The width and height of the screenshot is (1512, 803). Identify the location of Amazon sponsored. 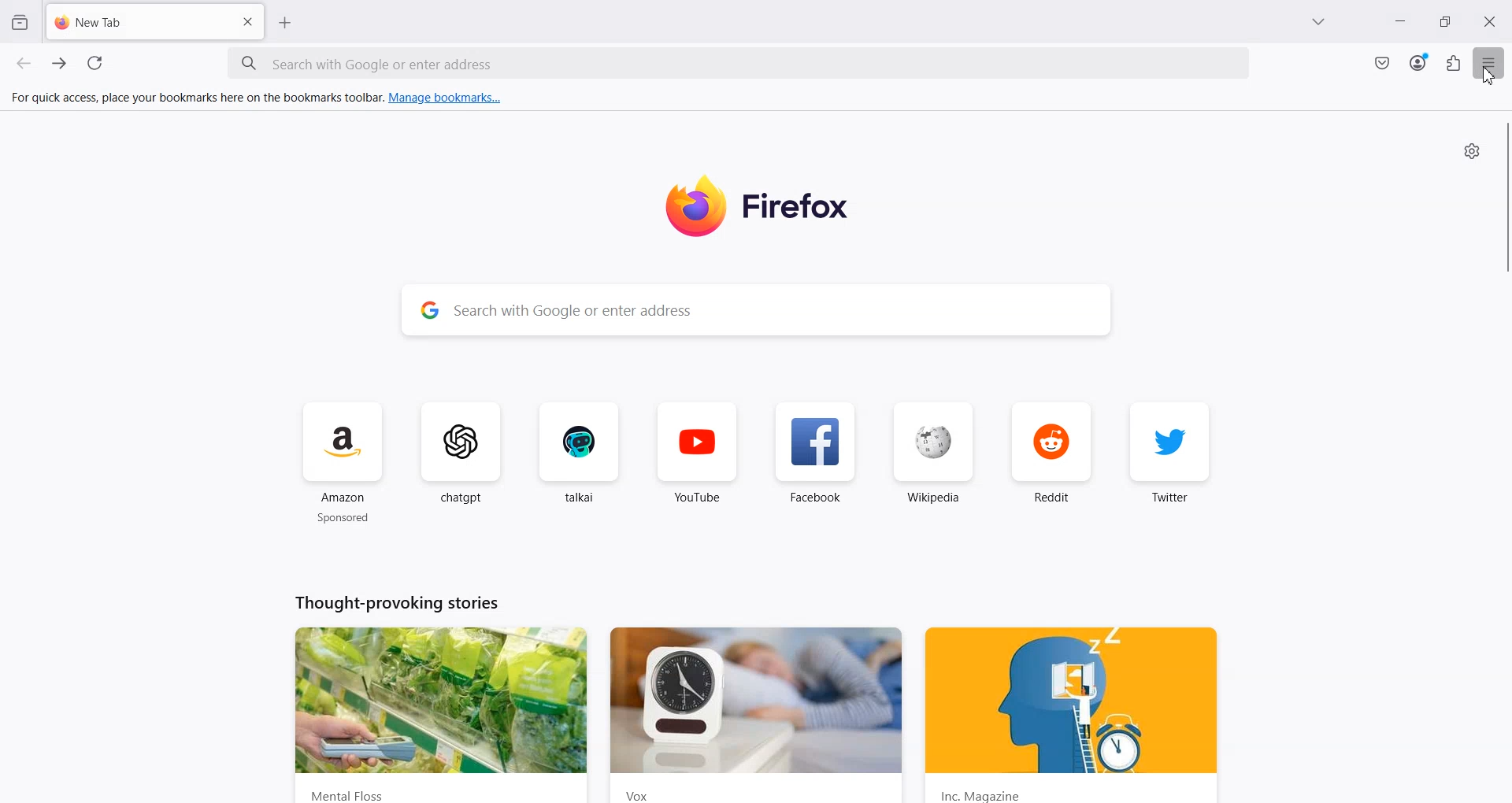
(344, 464).